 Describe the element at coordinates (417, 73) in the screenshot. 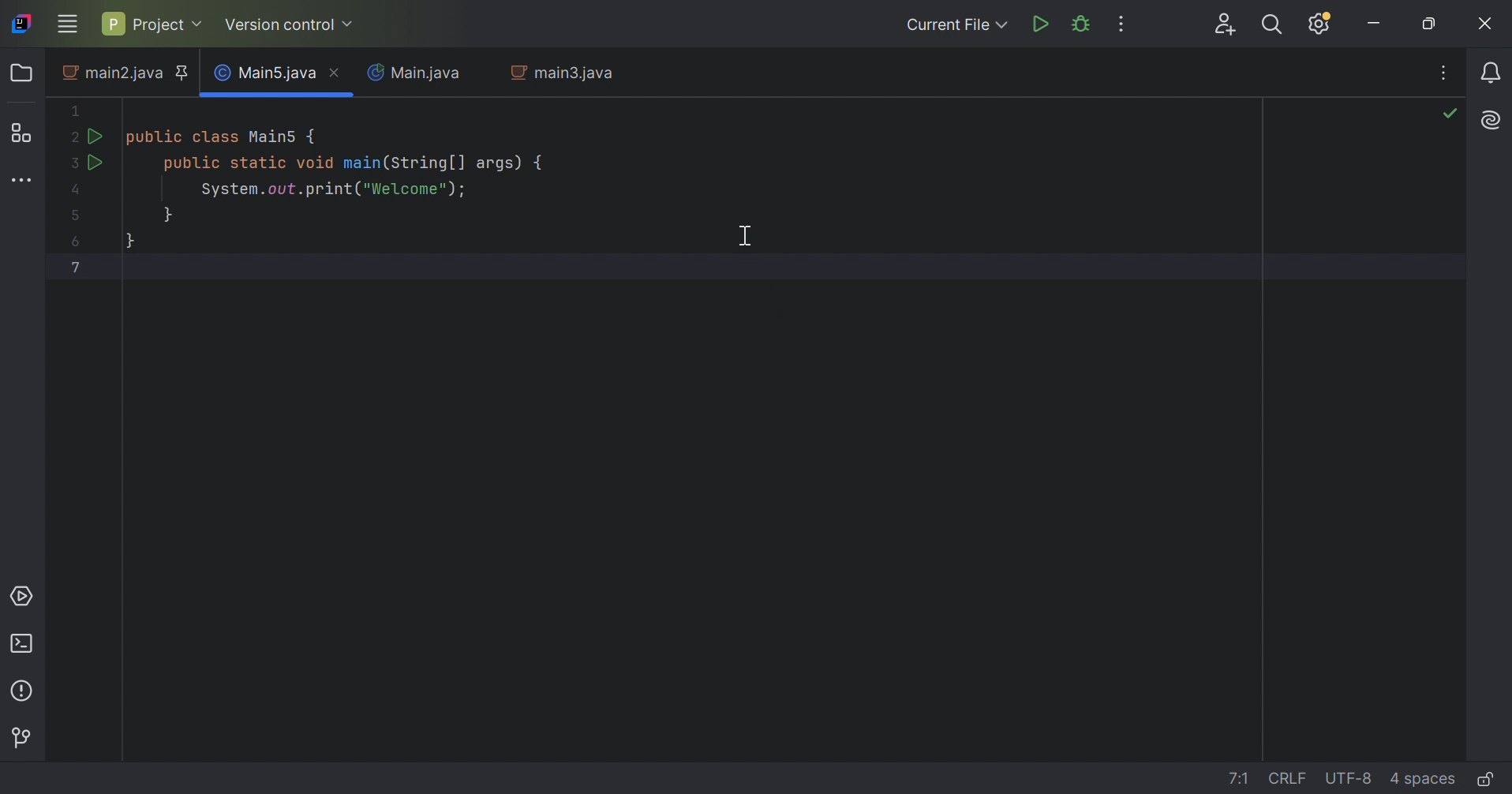

I see `Main.java` at that location.